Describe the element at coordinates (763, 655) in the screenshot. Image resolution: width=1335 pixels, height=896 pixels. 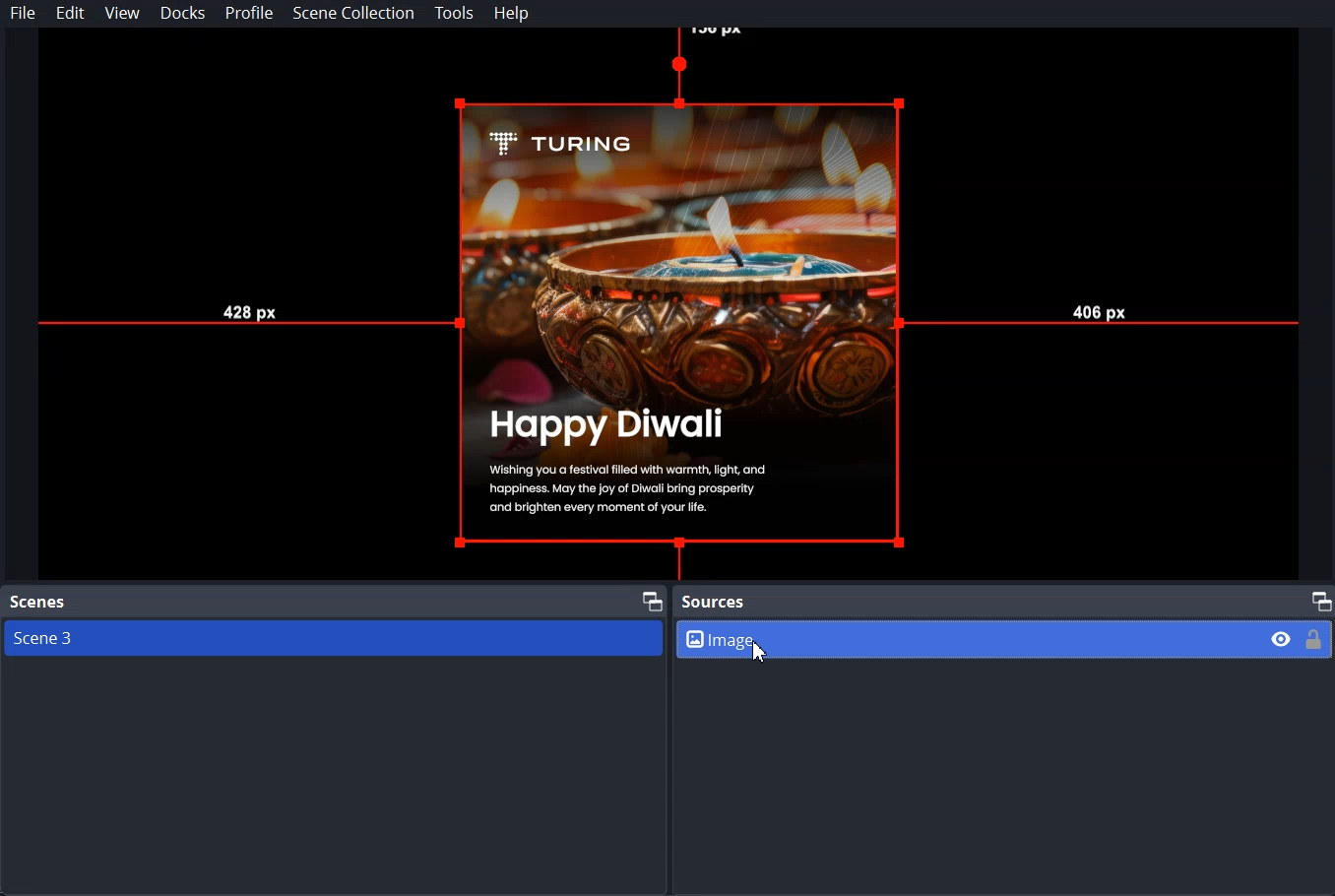
I see `Cursor` at that location.